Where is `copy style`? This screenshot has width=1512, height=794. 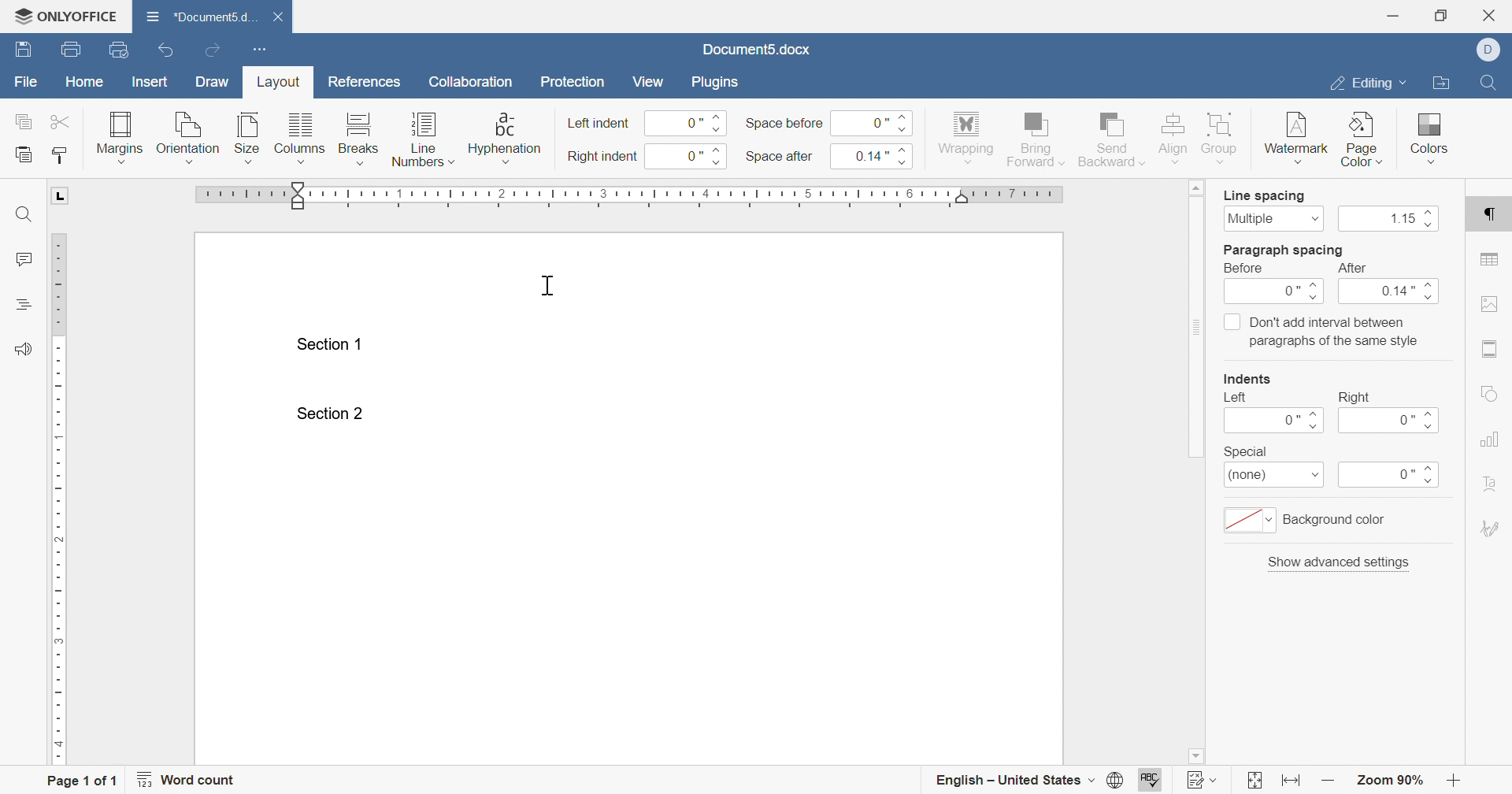 copy style is located at coordinates (57, 156).